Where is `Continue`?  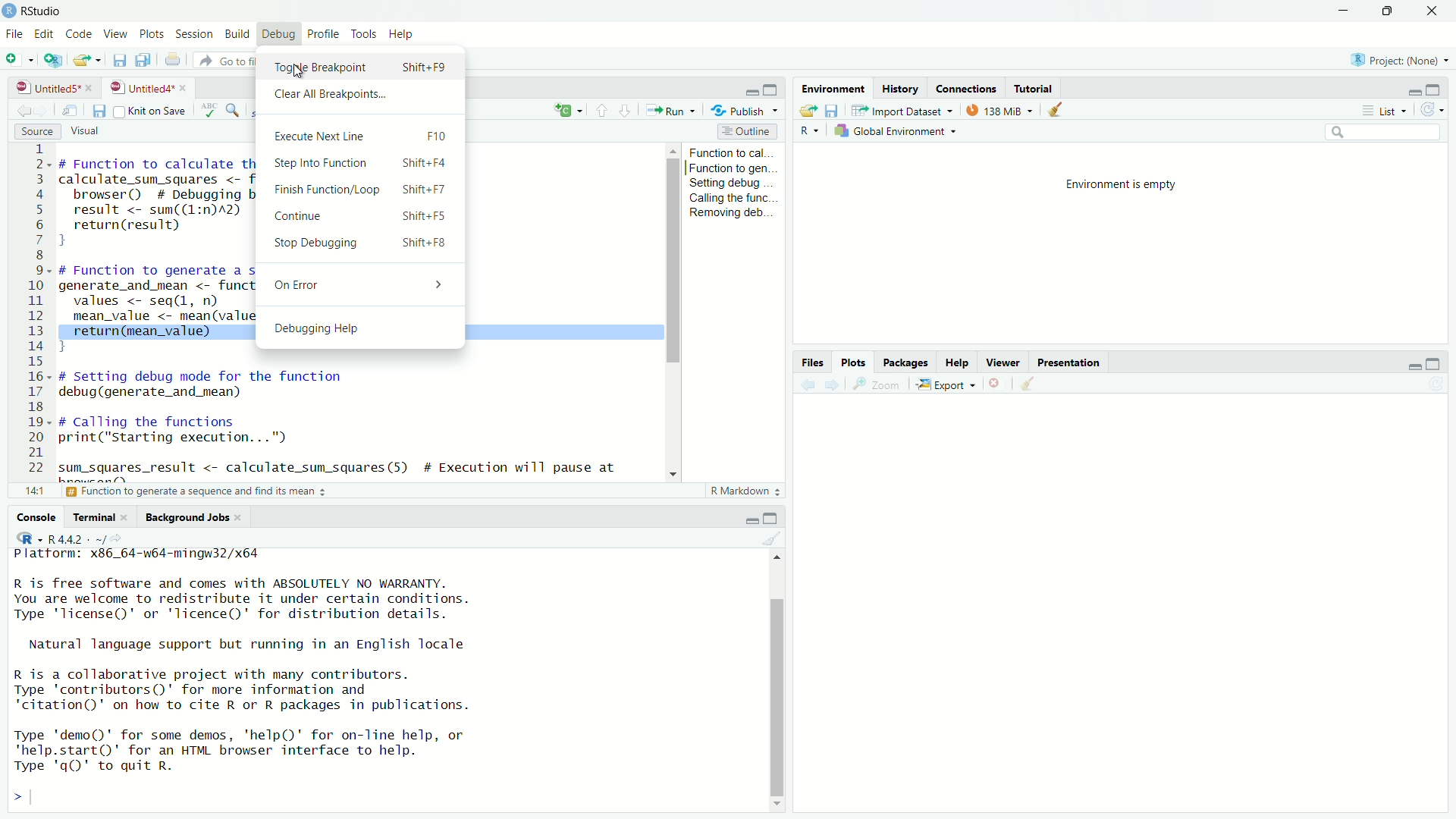 Continue is located at coordinates (362, 216).